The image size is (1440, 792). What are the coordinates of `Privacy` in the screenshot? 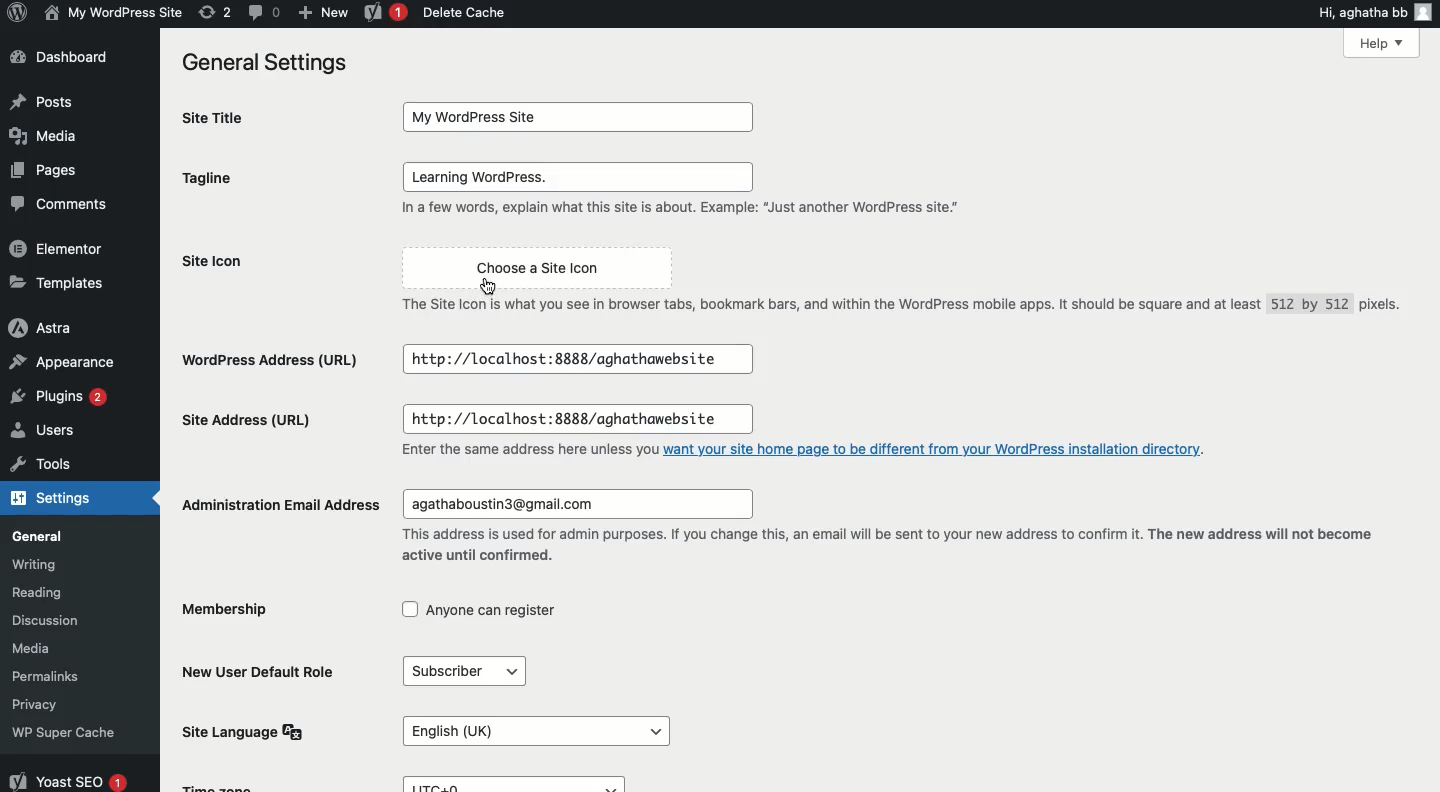 It's located at (55, 705).